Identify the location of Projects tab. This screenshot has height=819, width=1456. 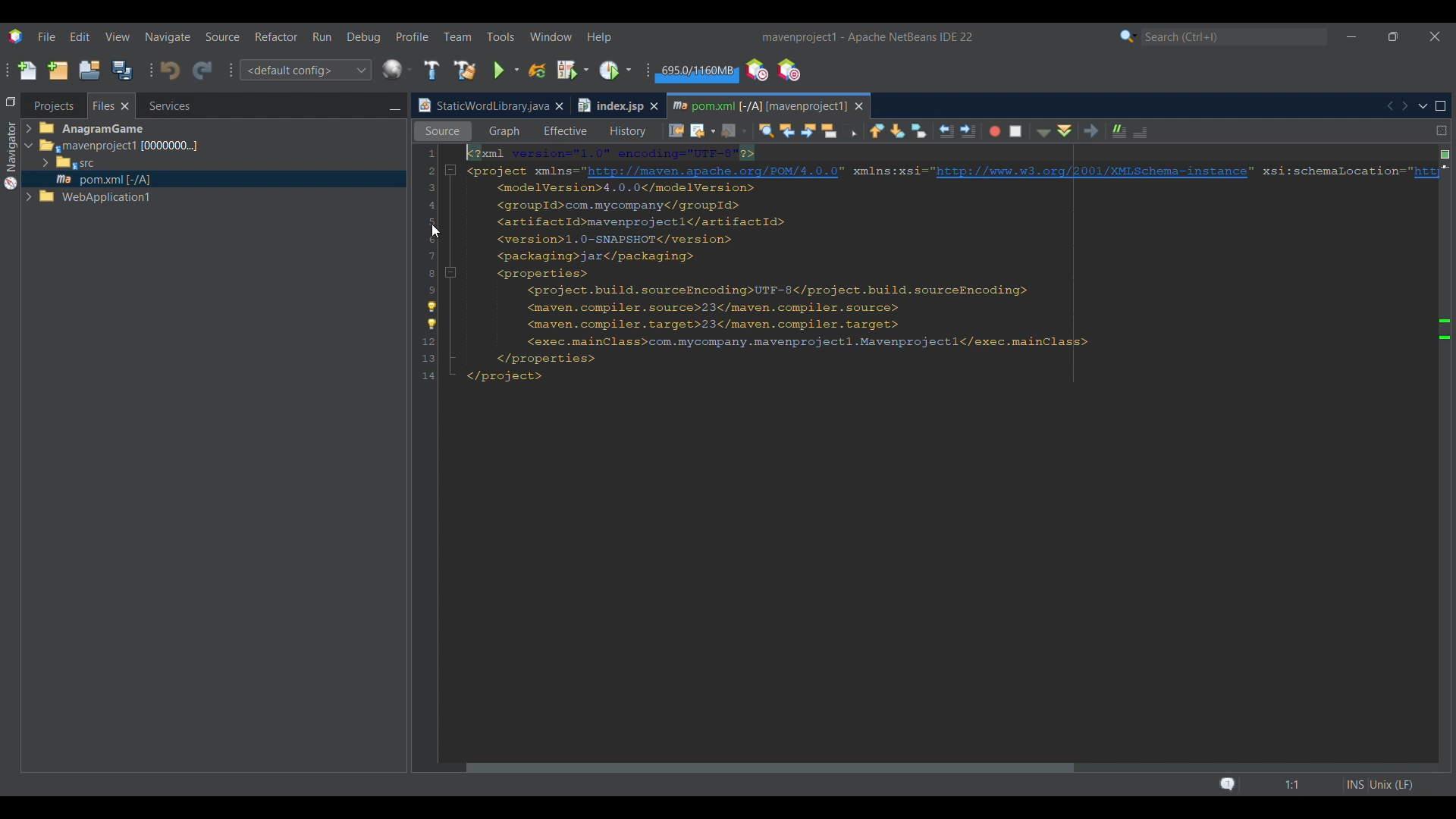
(53, 105).